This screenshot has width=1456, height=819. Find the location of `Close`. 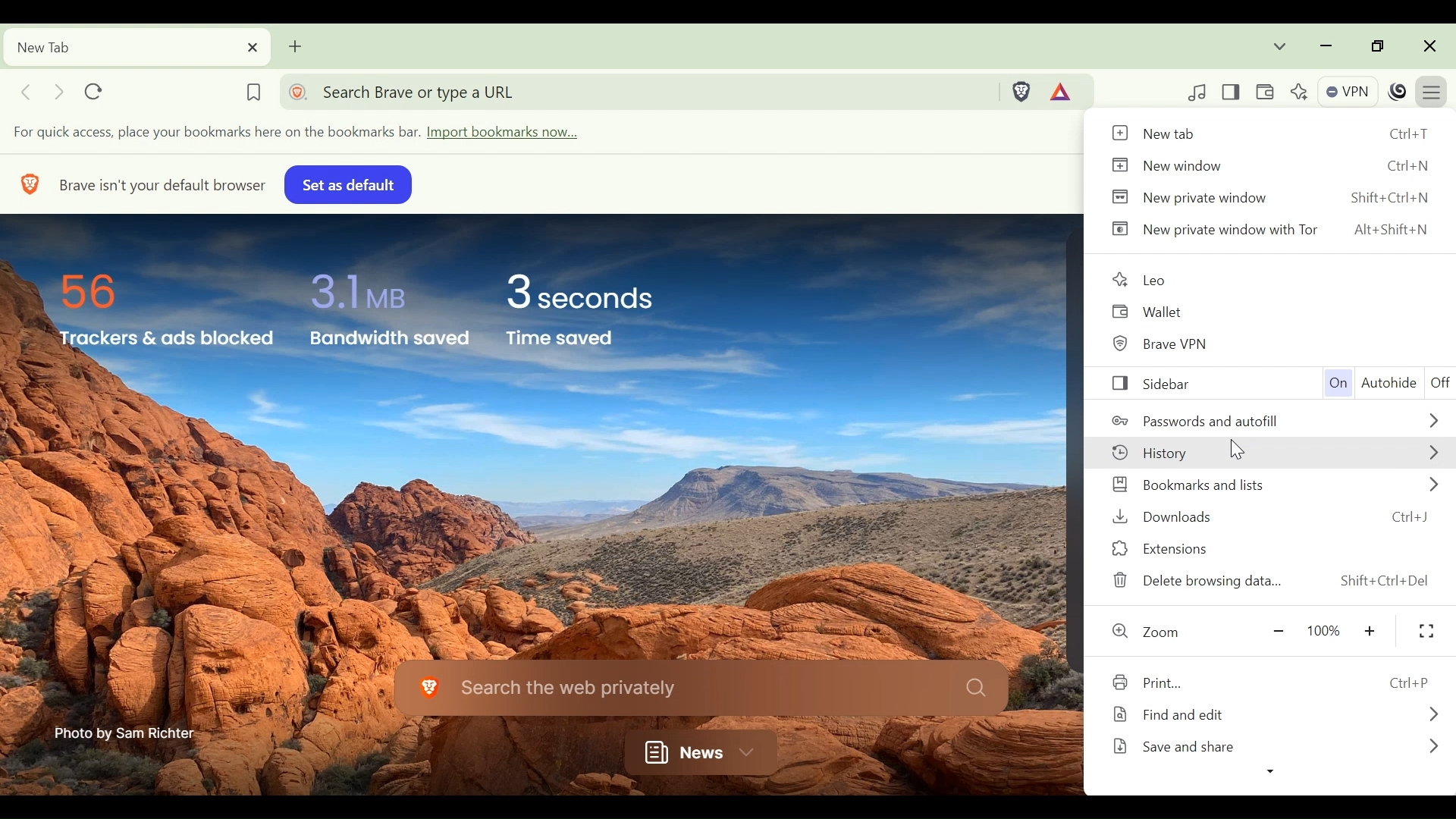

Close is located at coordinates (1430, 45).